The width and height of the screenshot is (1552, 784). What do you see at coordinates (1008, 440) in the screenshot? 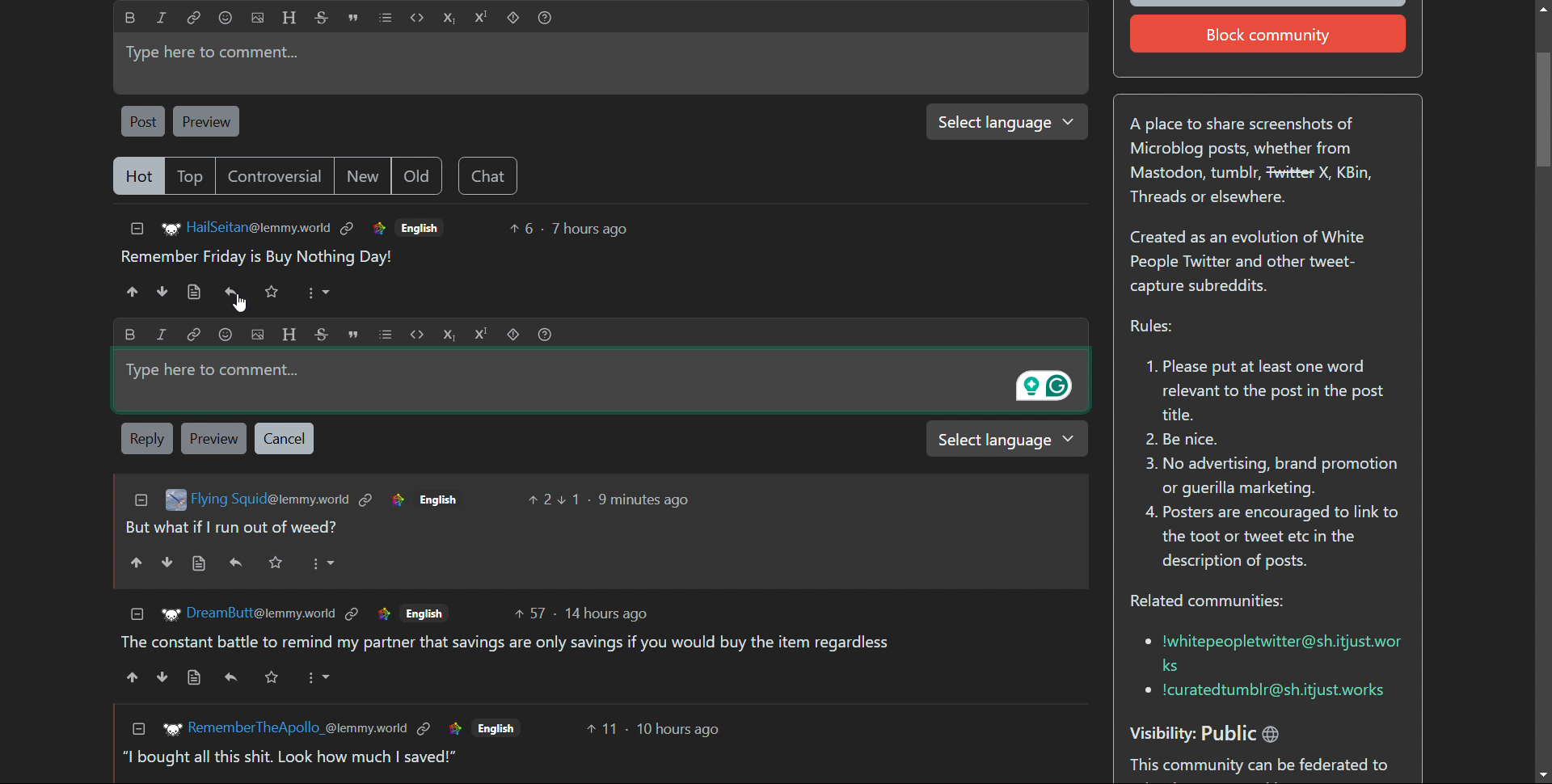
I see `select language` at bounding box center [1008, 440].